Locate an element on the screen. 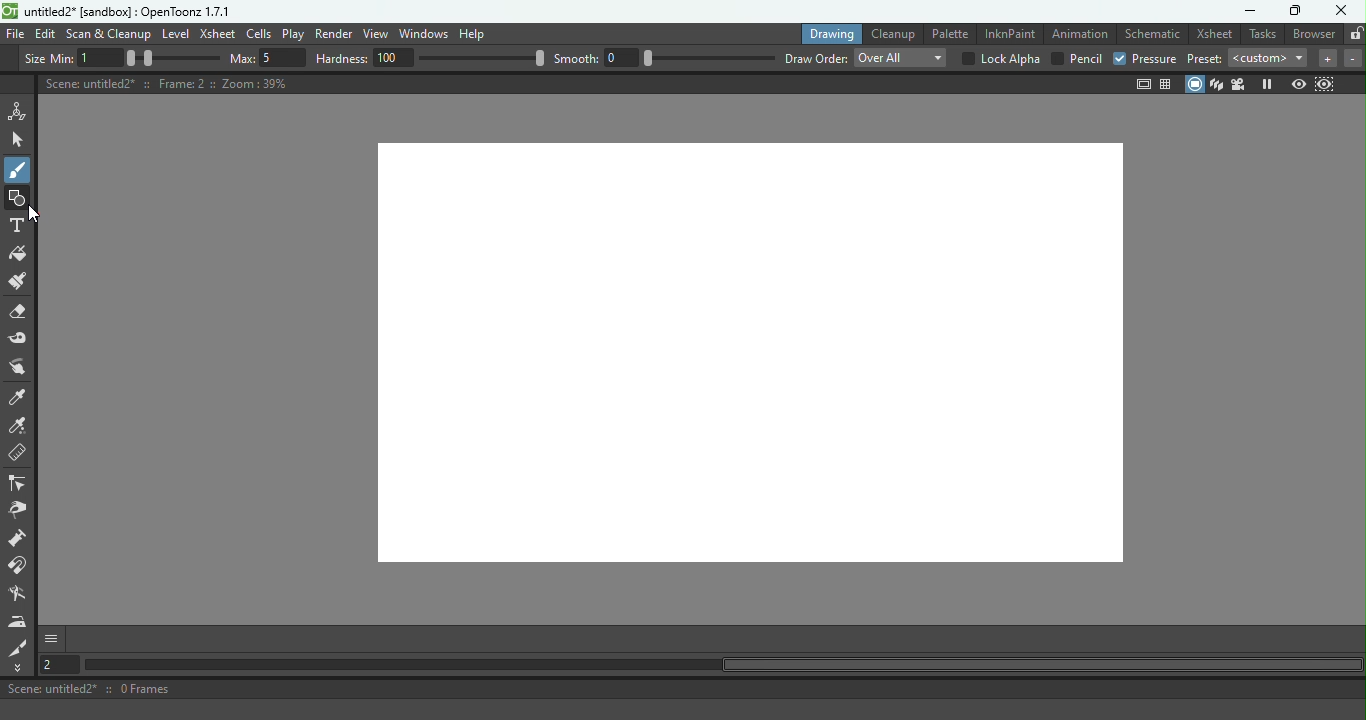 The image size is (1366, 720). Safe area is located at coordinates (1142, 85).